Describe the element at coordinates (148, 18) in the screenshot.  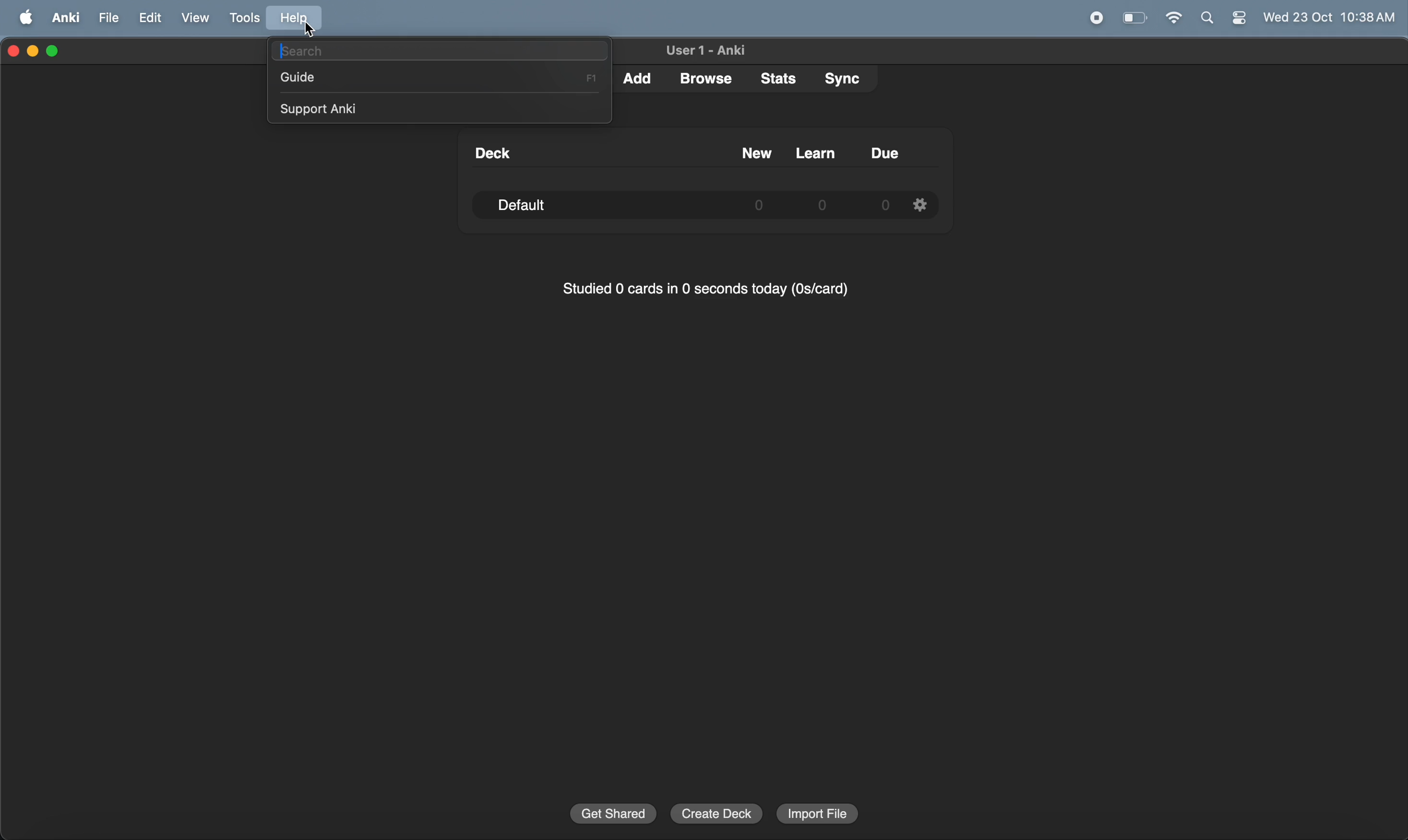
I see `edit` at that location.